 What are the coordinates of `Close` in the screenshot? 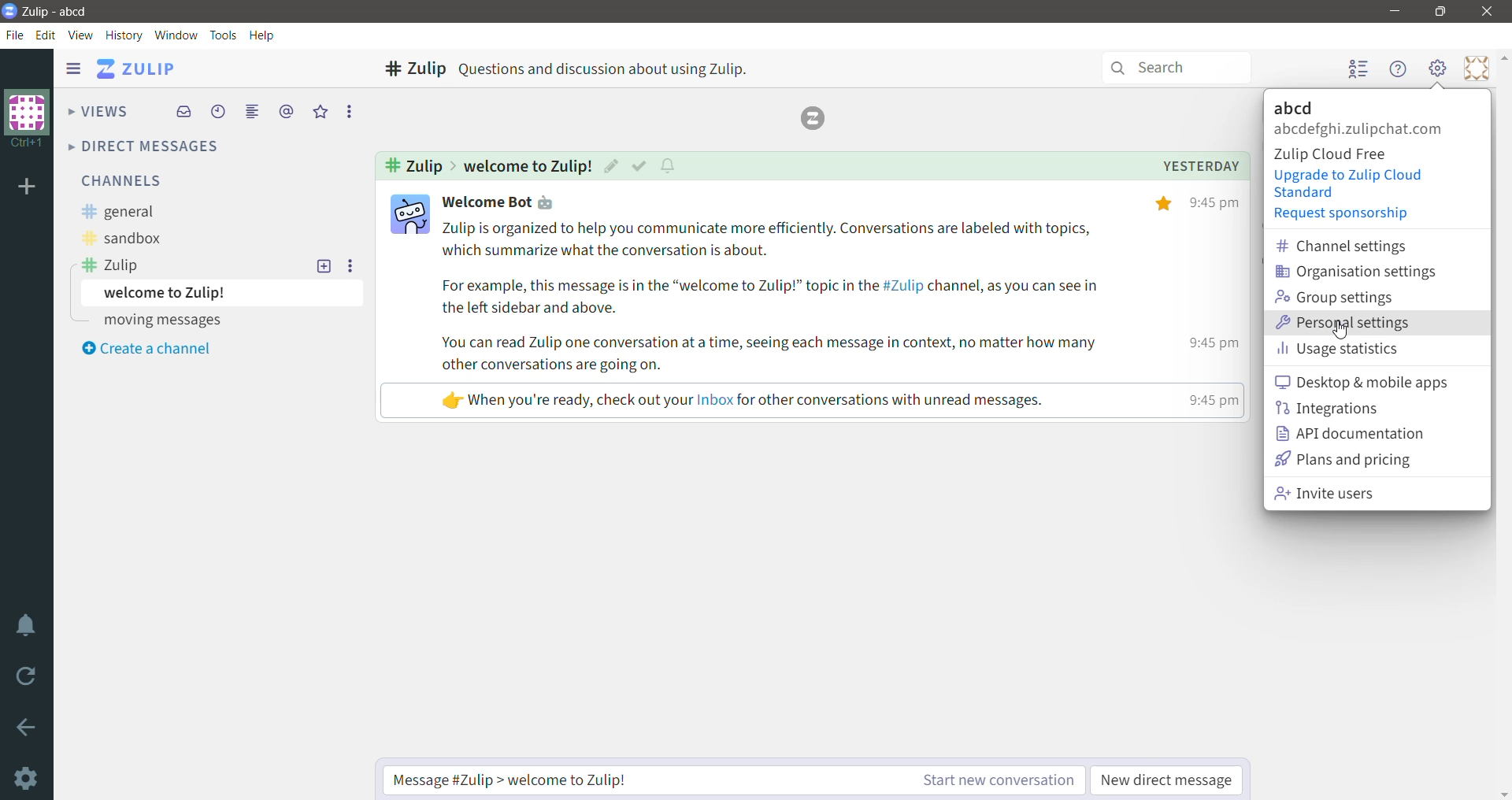 It's located at (1490, 11).